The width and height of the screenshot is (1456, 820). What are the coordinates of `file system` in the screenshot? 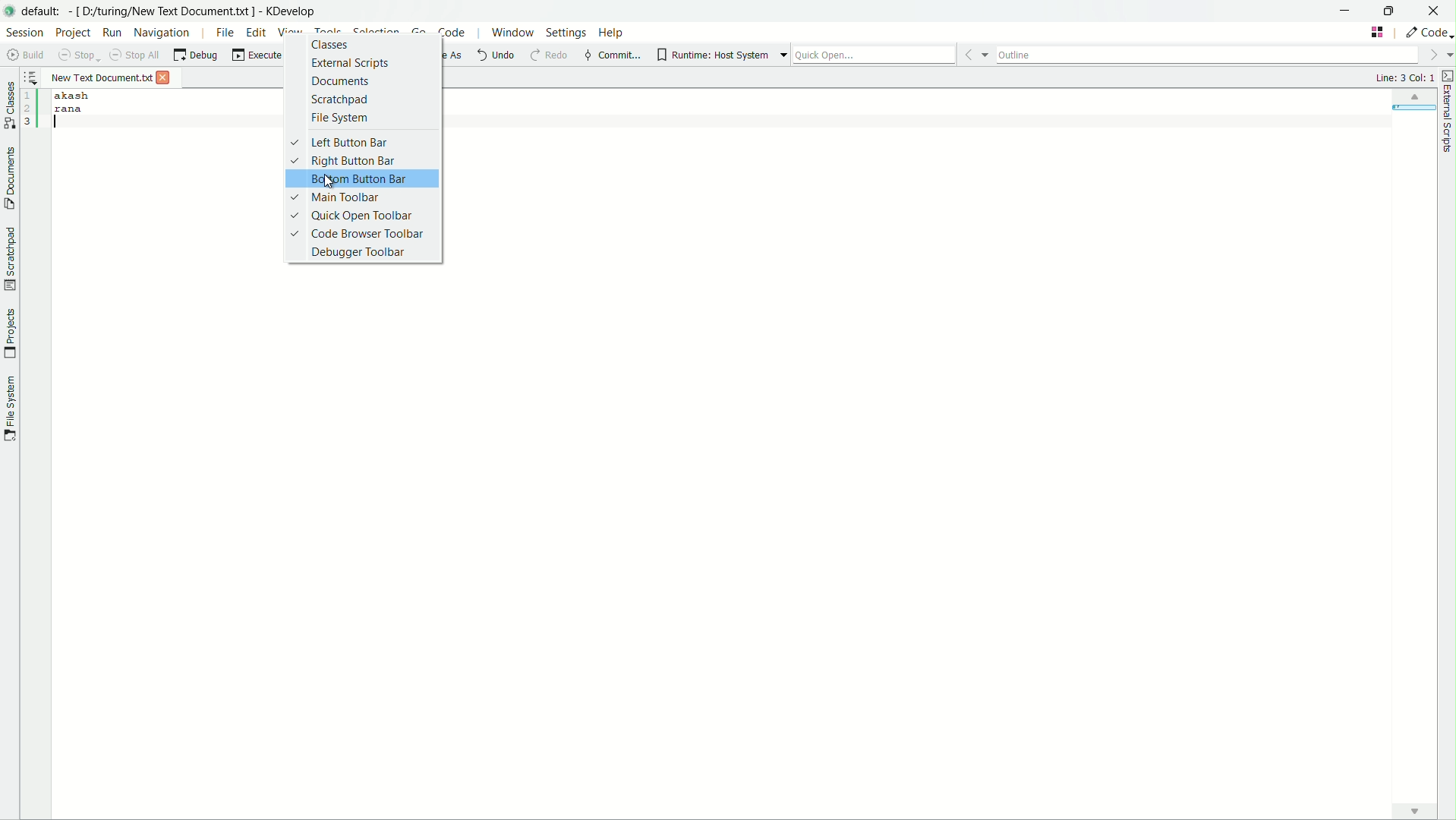 It's located at (341, 118).